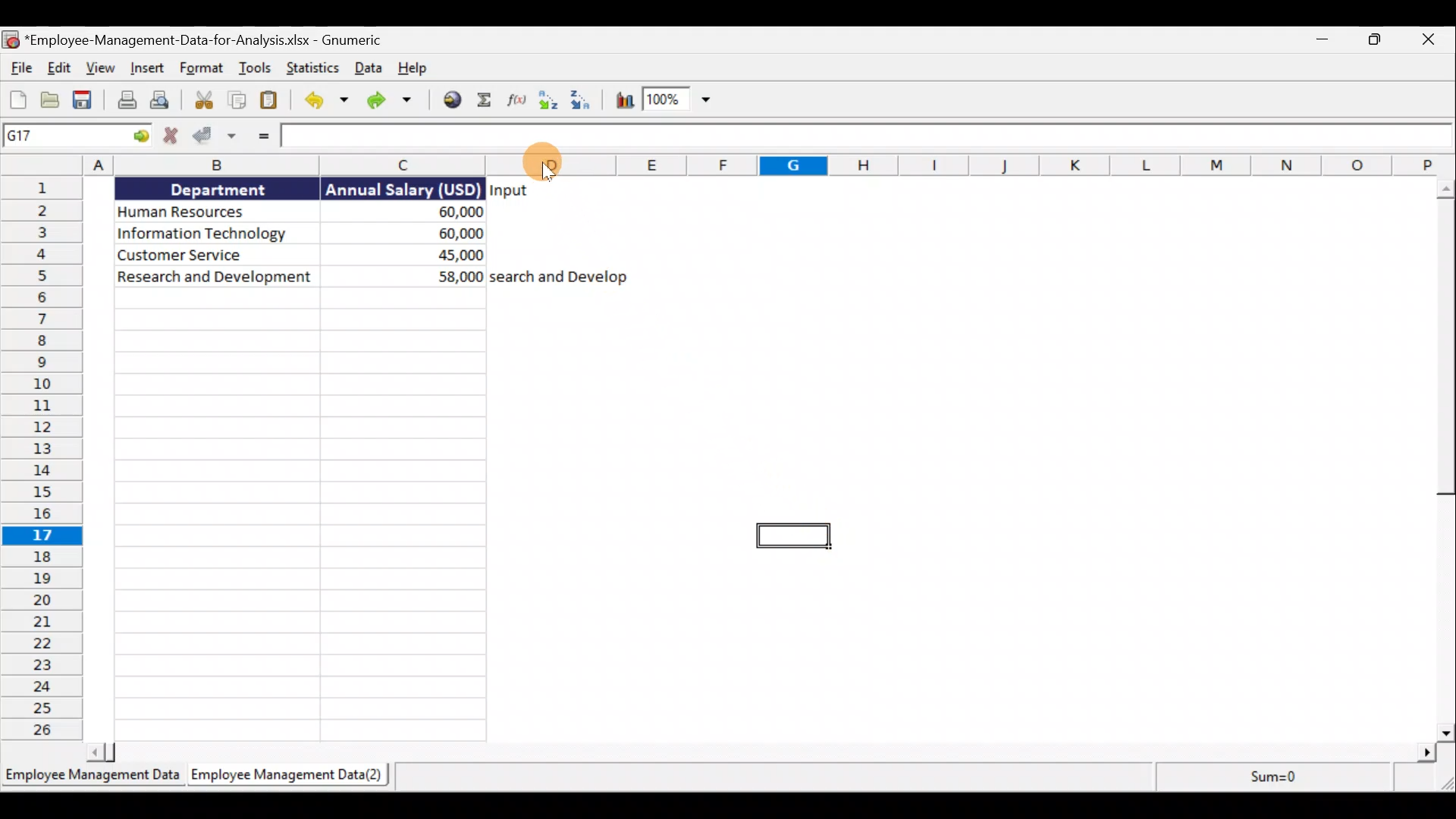 The height and width of the screenshot is (819, 1456). What do you see at coordinates (313, 67) in the screenshot?
I see `Statistics` at bounding box center [313, 67].